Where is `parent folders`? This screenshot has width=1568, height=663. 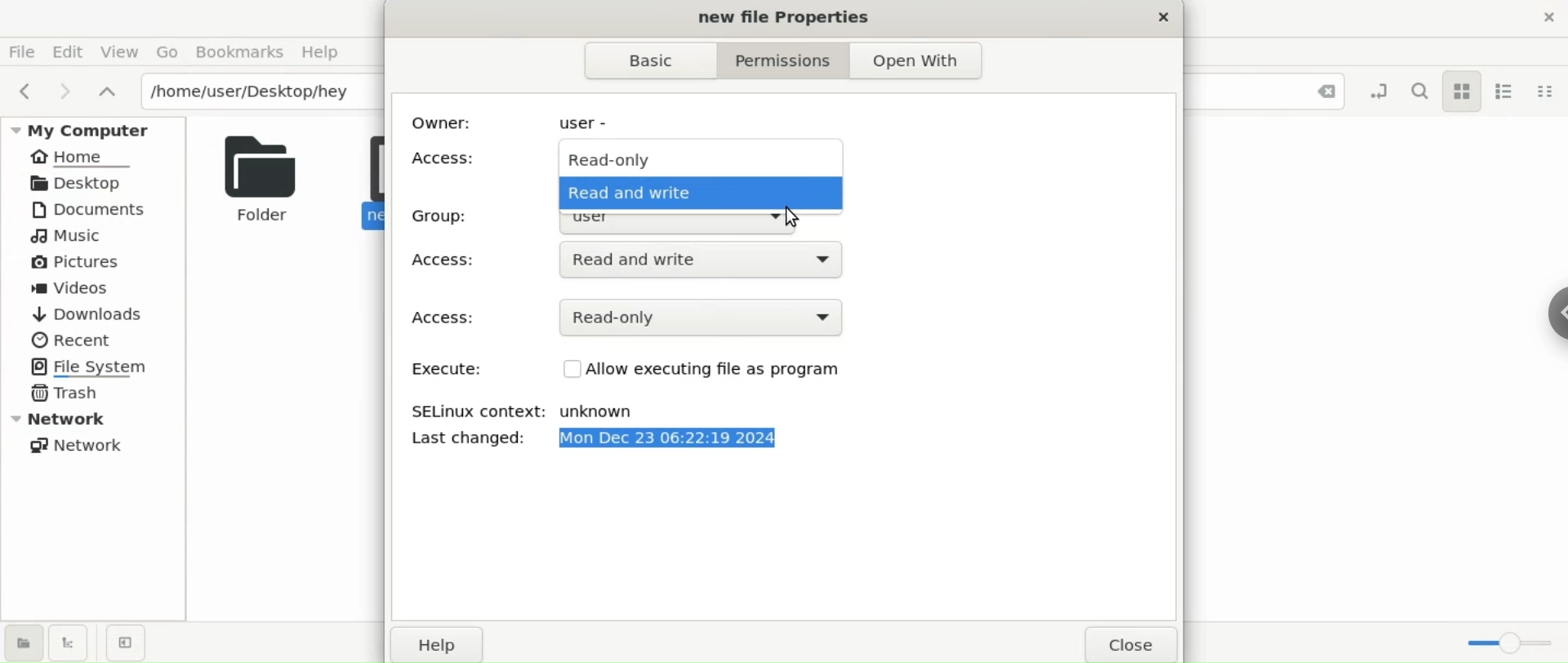 parent folders is located at coordinates (106, 90).